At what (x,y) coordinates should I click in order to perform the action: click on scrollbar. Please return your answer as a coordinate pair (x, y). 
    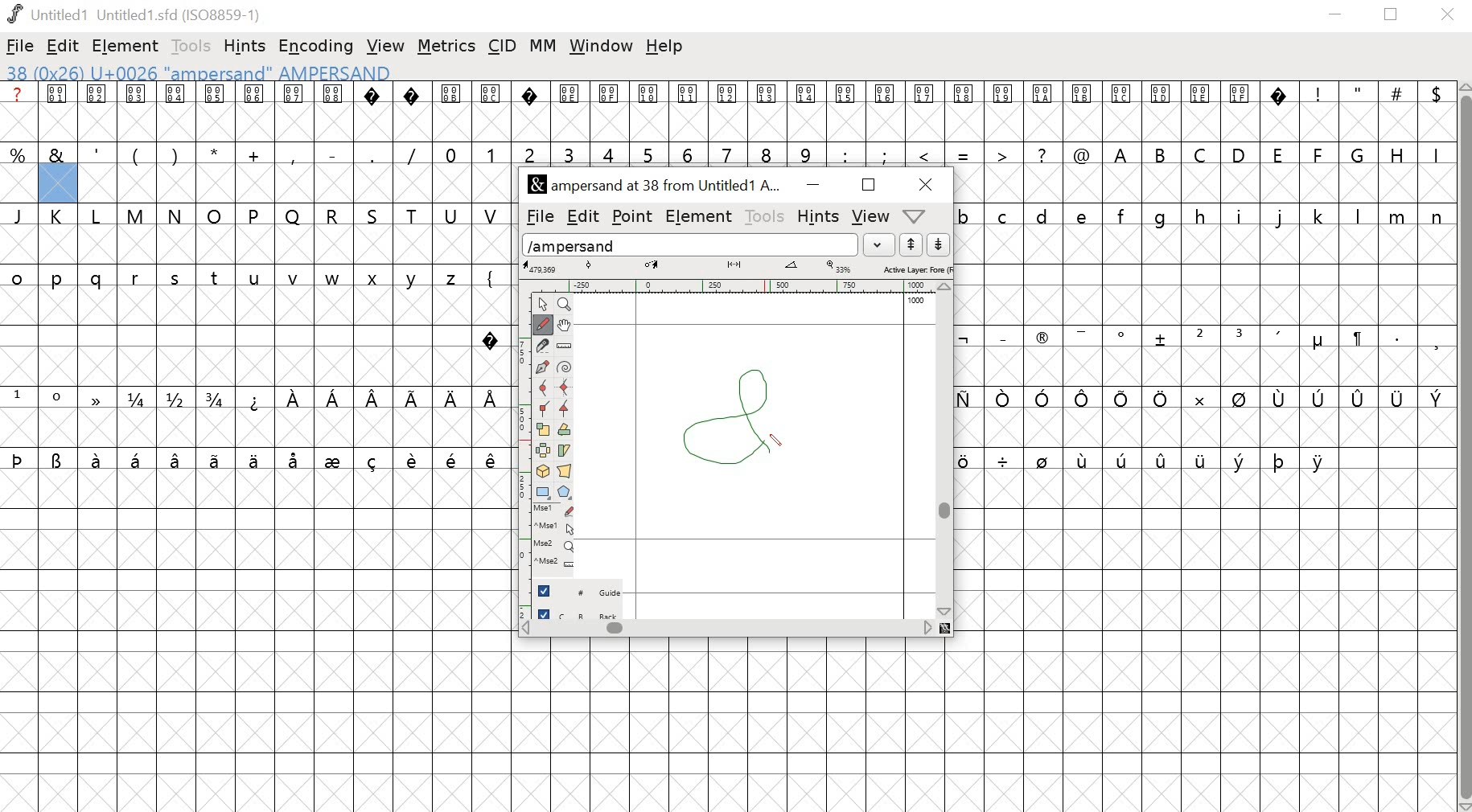
    Looking at the image, I should click on (948, 449).